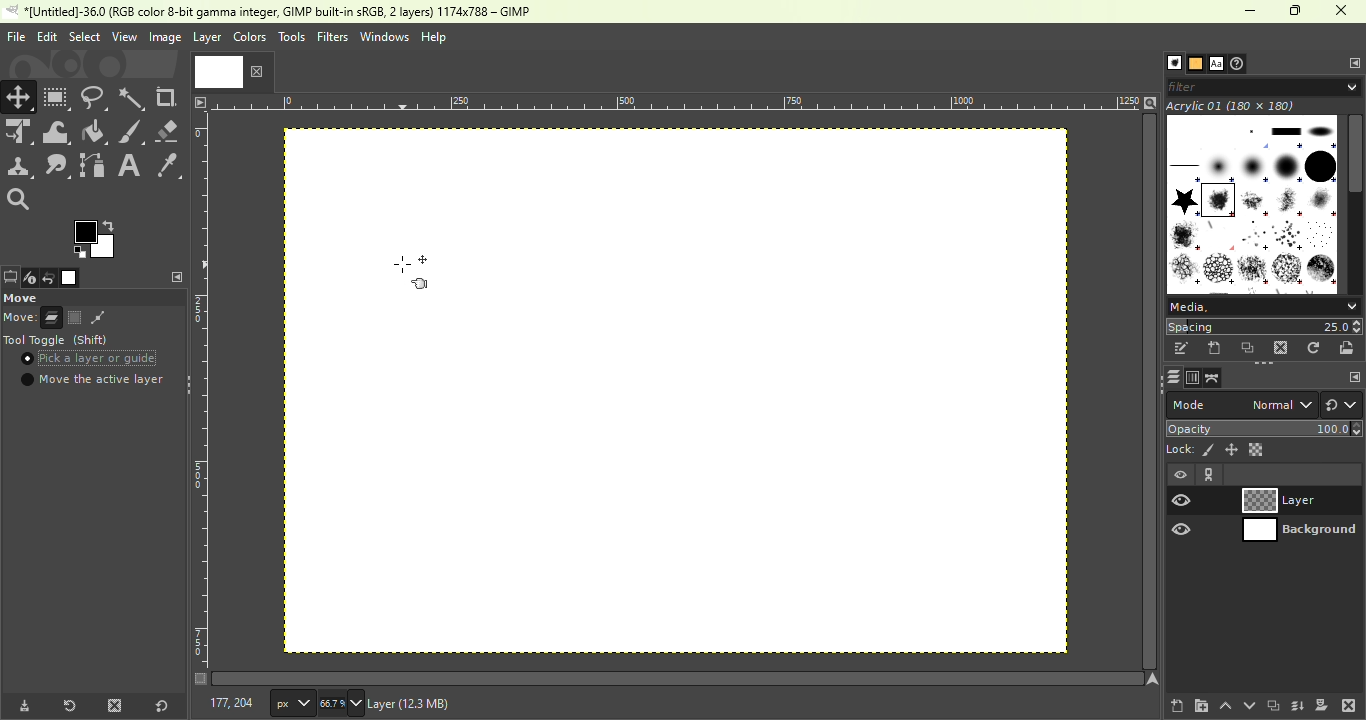 The image size is (1366, 720). I want to click on Add to the current selection, so click(74, 317).